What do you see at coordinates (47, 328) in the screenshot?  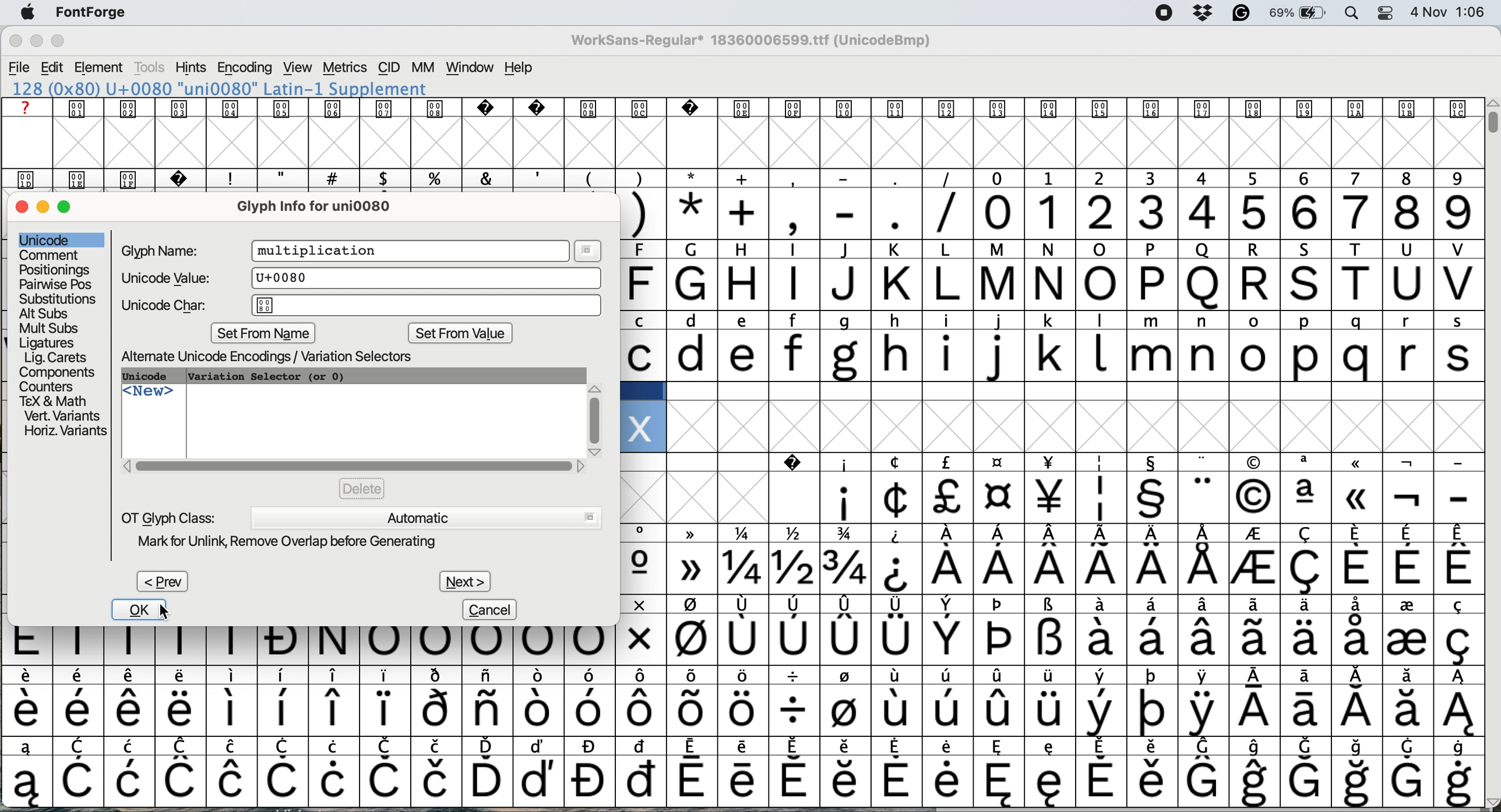 I see `mult subs` at bounding box center [47, 328].